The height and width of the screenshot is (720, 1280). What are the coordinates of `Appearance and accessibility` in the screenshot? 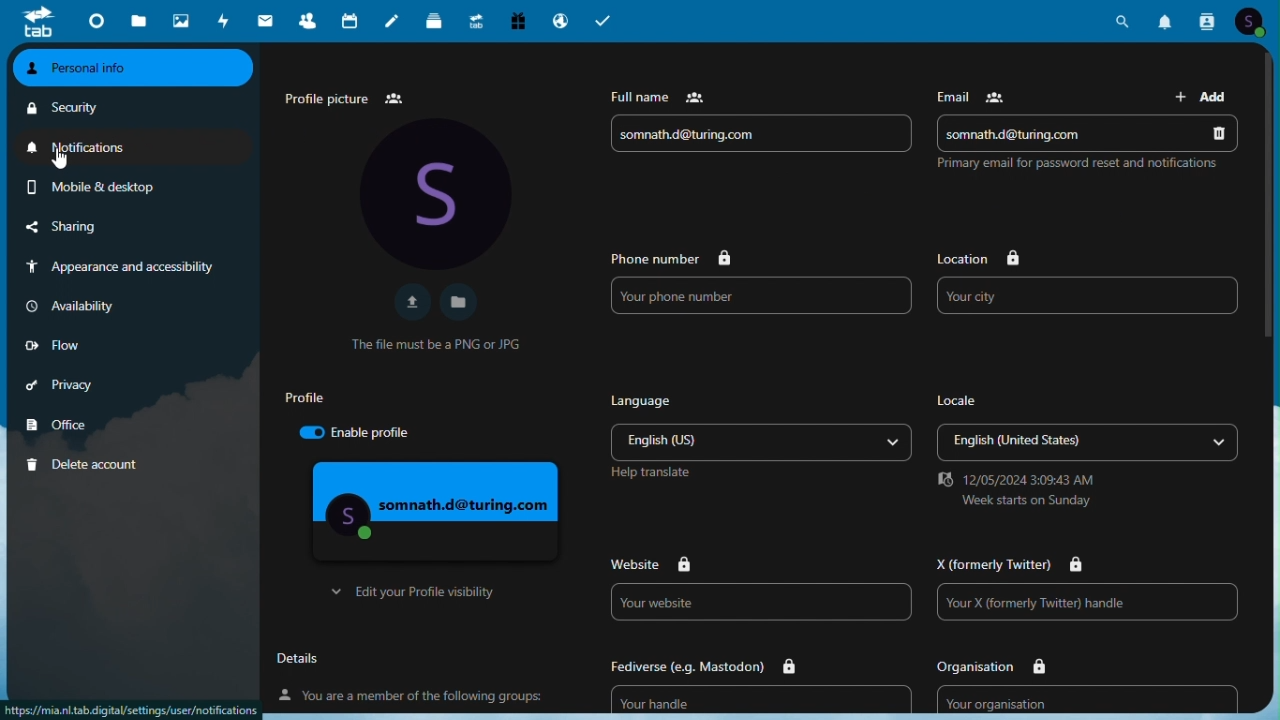 It's located at (124, 268).